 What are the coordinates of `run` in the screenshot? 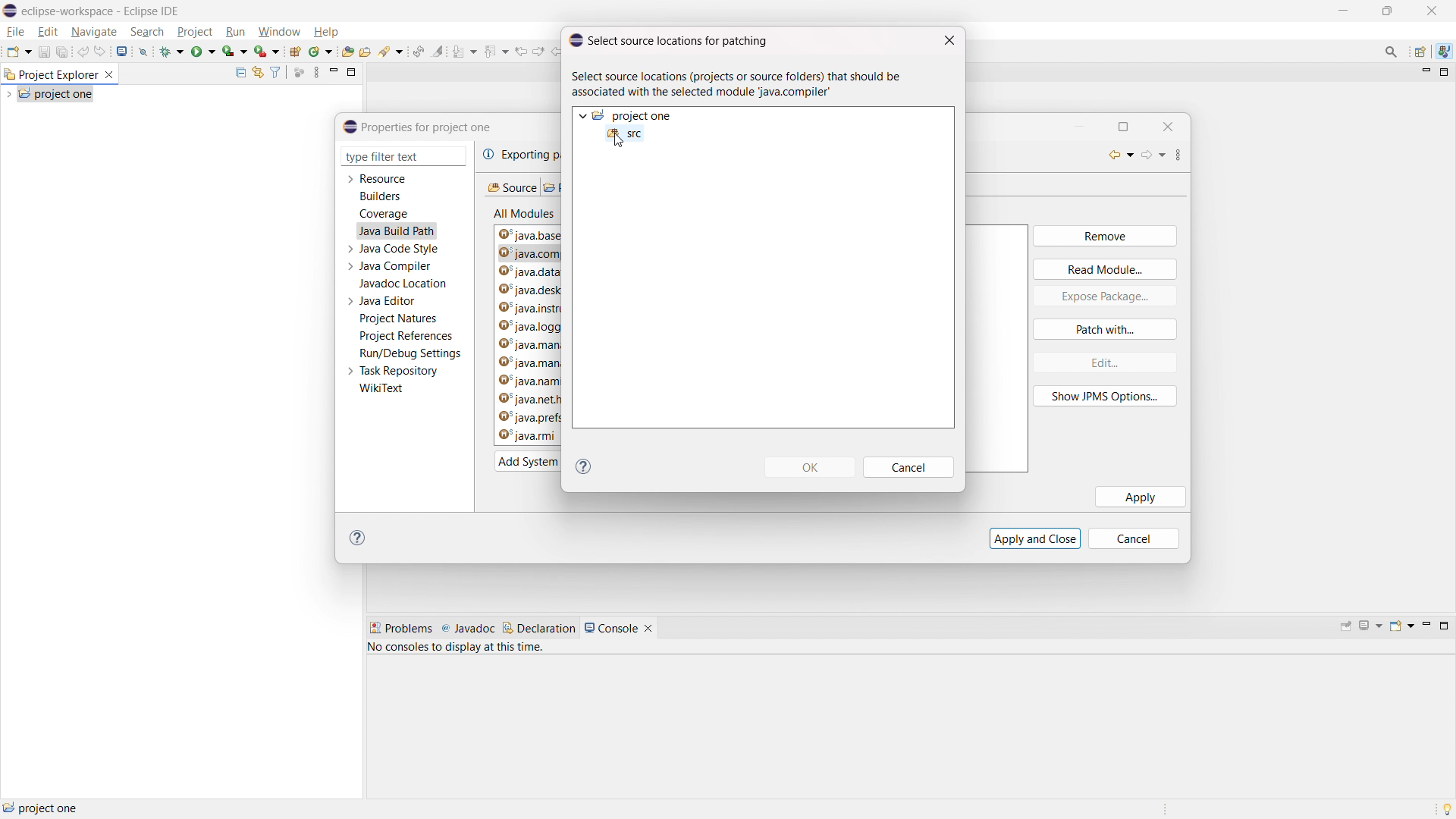 It's located at (236, 32).